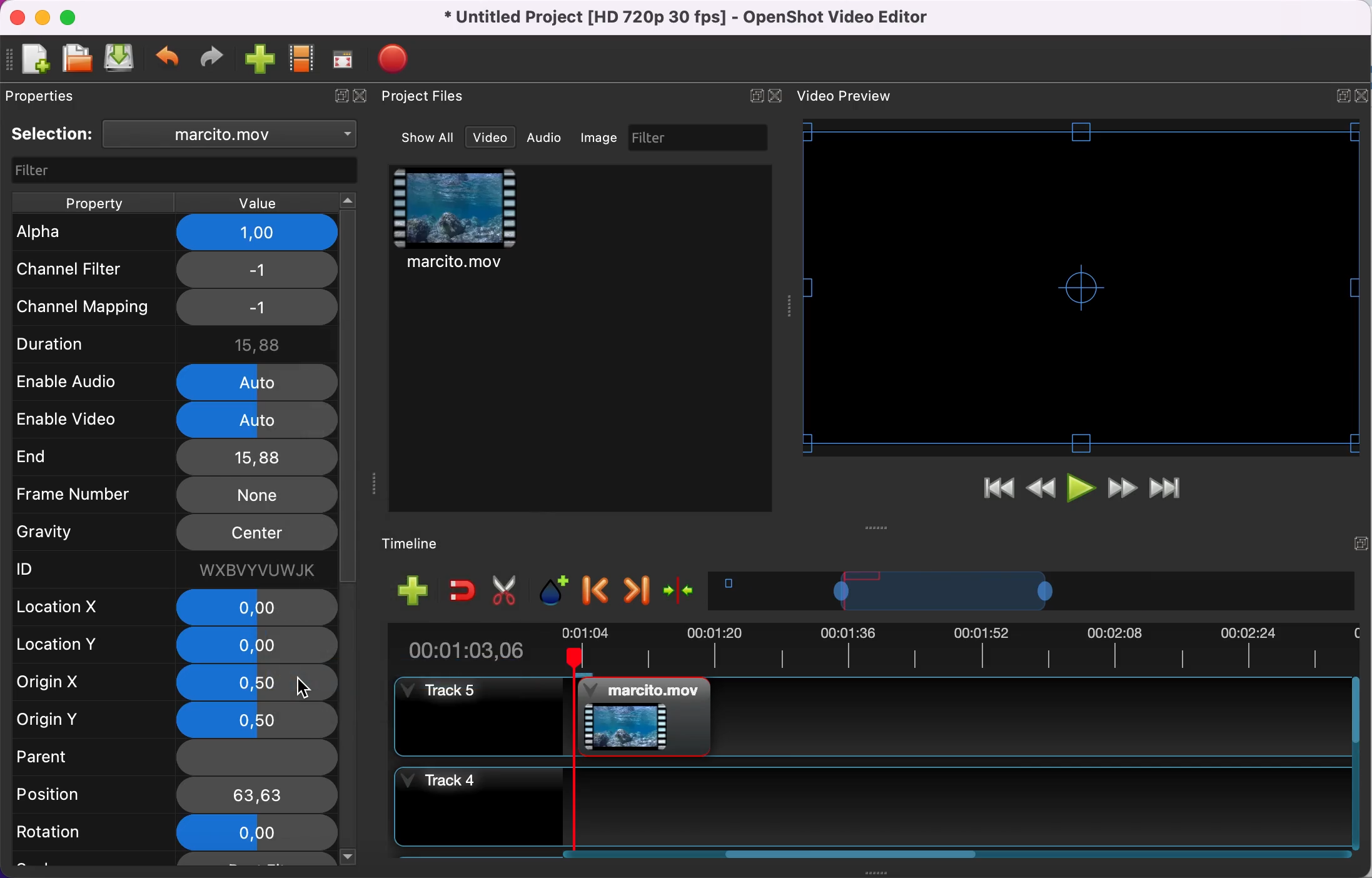 The width and height of the screenshot is (1372, 878). I want to click on video, so click(456, 221).